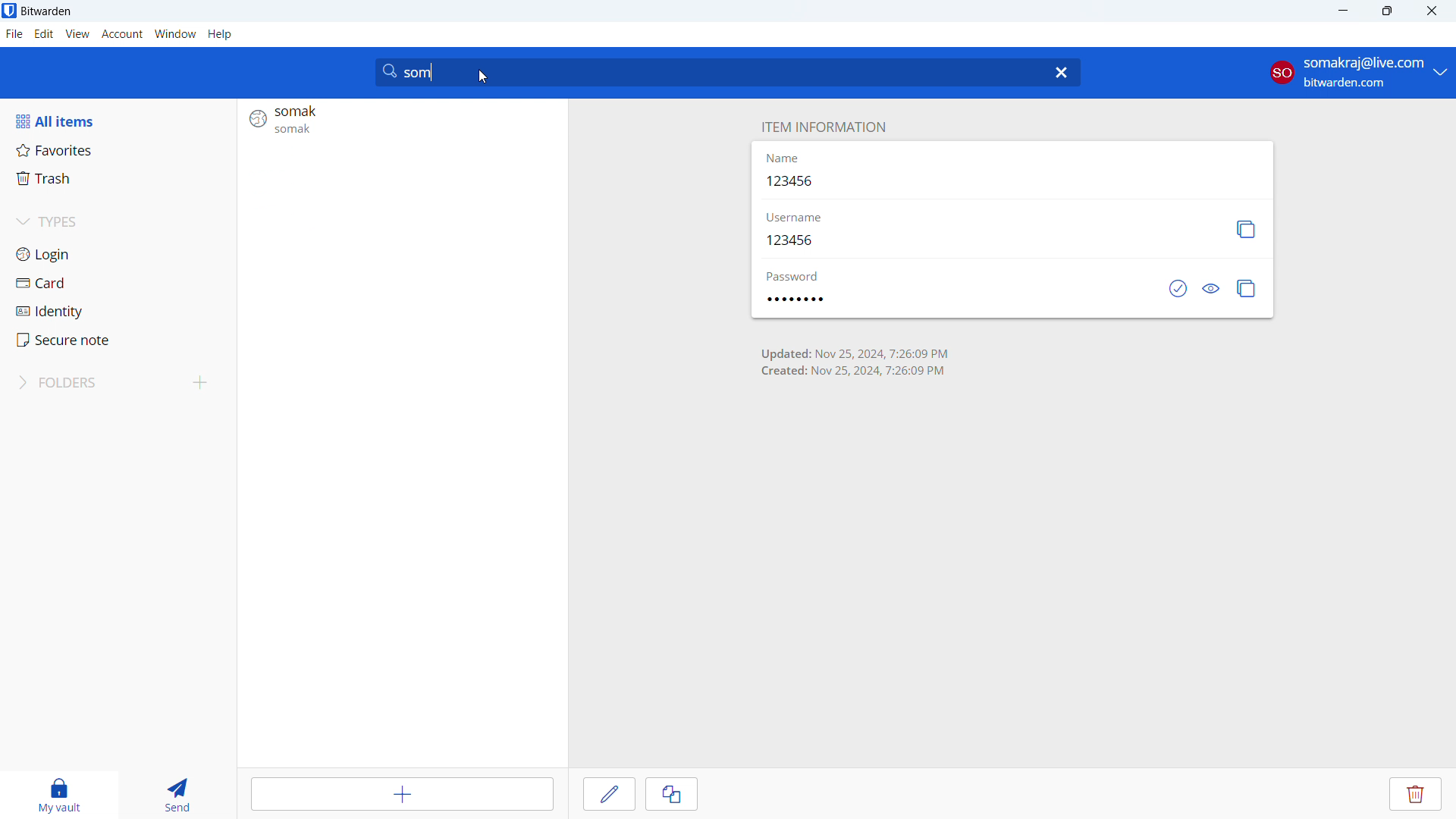 The width and height of the screenshot is (1456, 819). I want to click on types, so click(119, 221).